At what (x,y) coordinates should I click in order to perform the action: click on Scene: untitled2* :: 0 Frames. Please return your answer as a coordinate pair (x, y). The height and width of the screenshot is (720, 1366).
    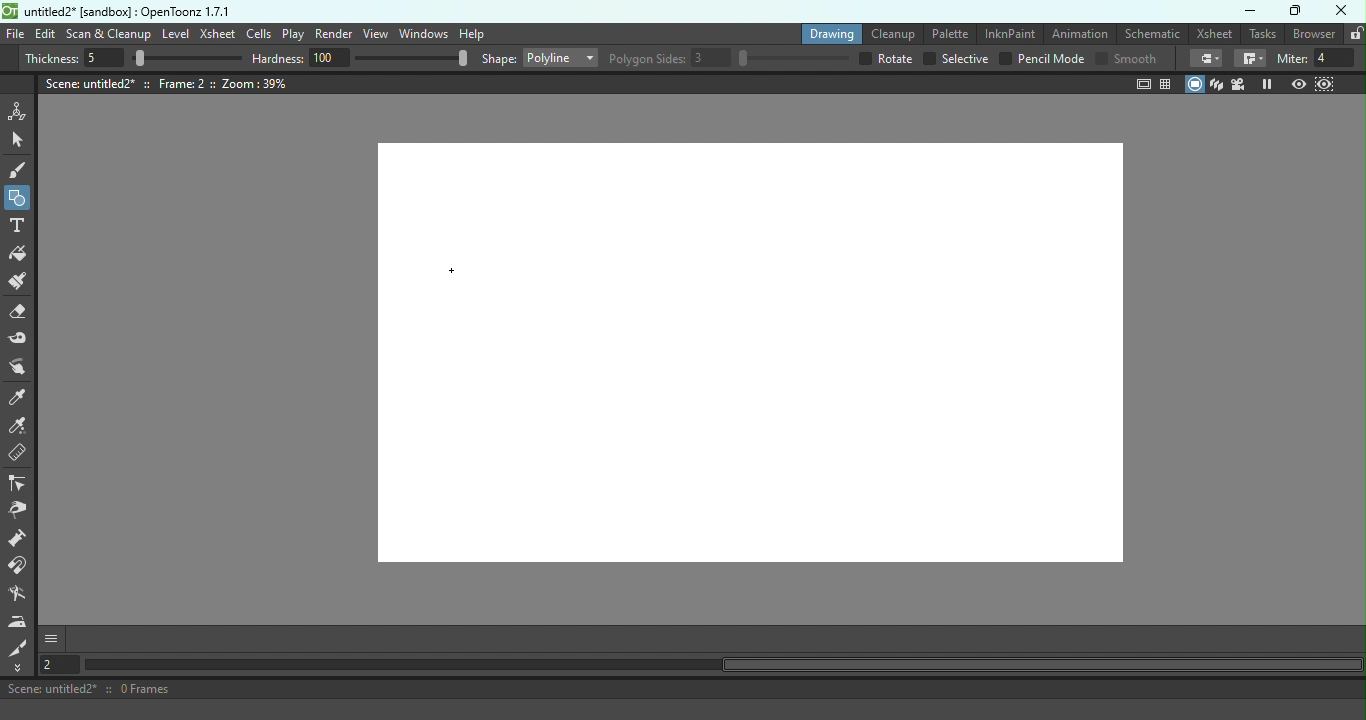
    Looking at the image, I should click on (683, 689).